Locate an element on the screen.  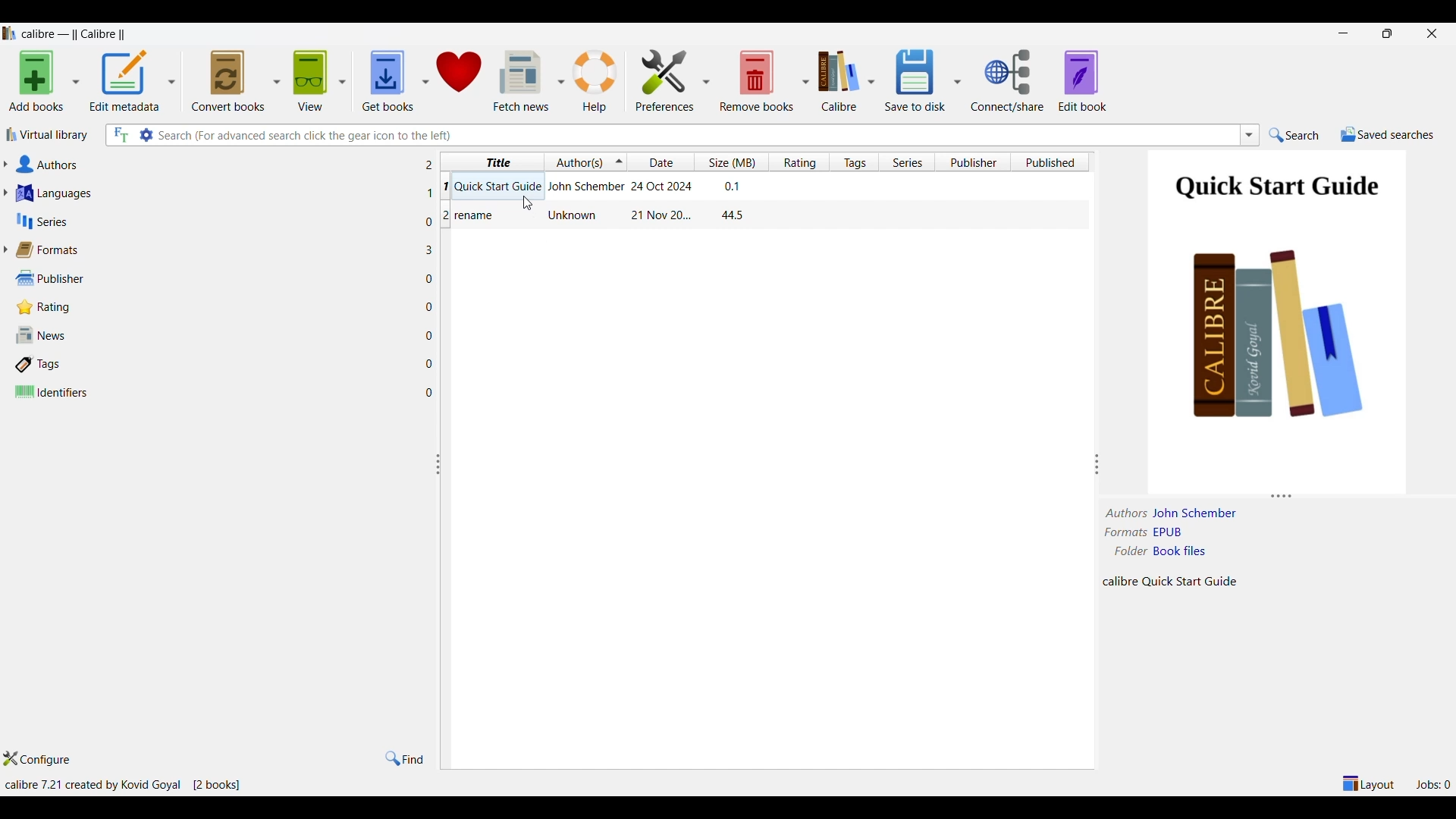
Remove book options is located at coordinates (805, 81).